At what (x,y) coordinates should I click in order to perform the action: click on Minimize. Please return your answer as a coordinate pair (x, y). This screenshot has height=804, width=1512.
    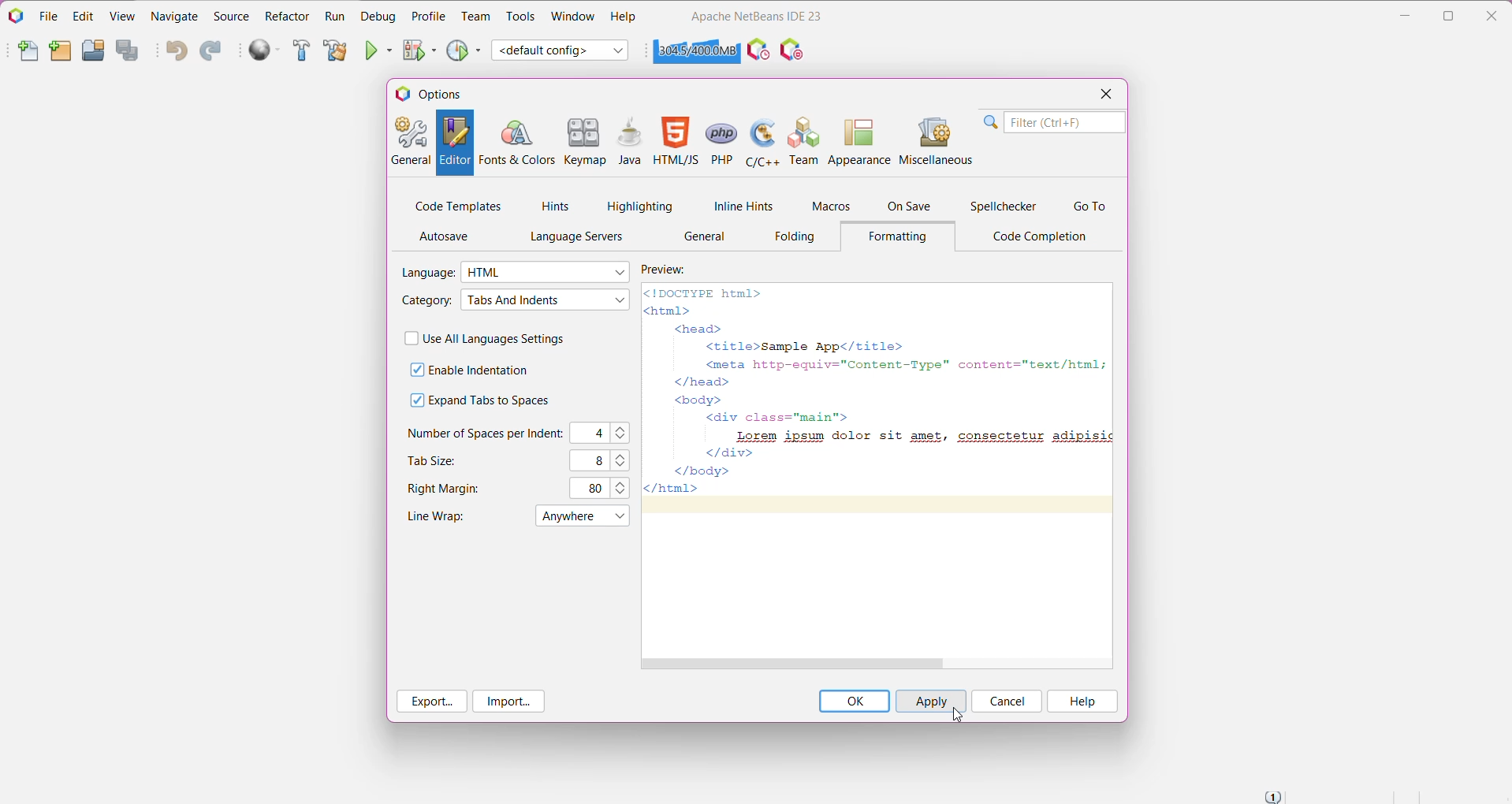
    Looking at the image, I should click on (1405, 16).